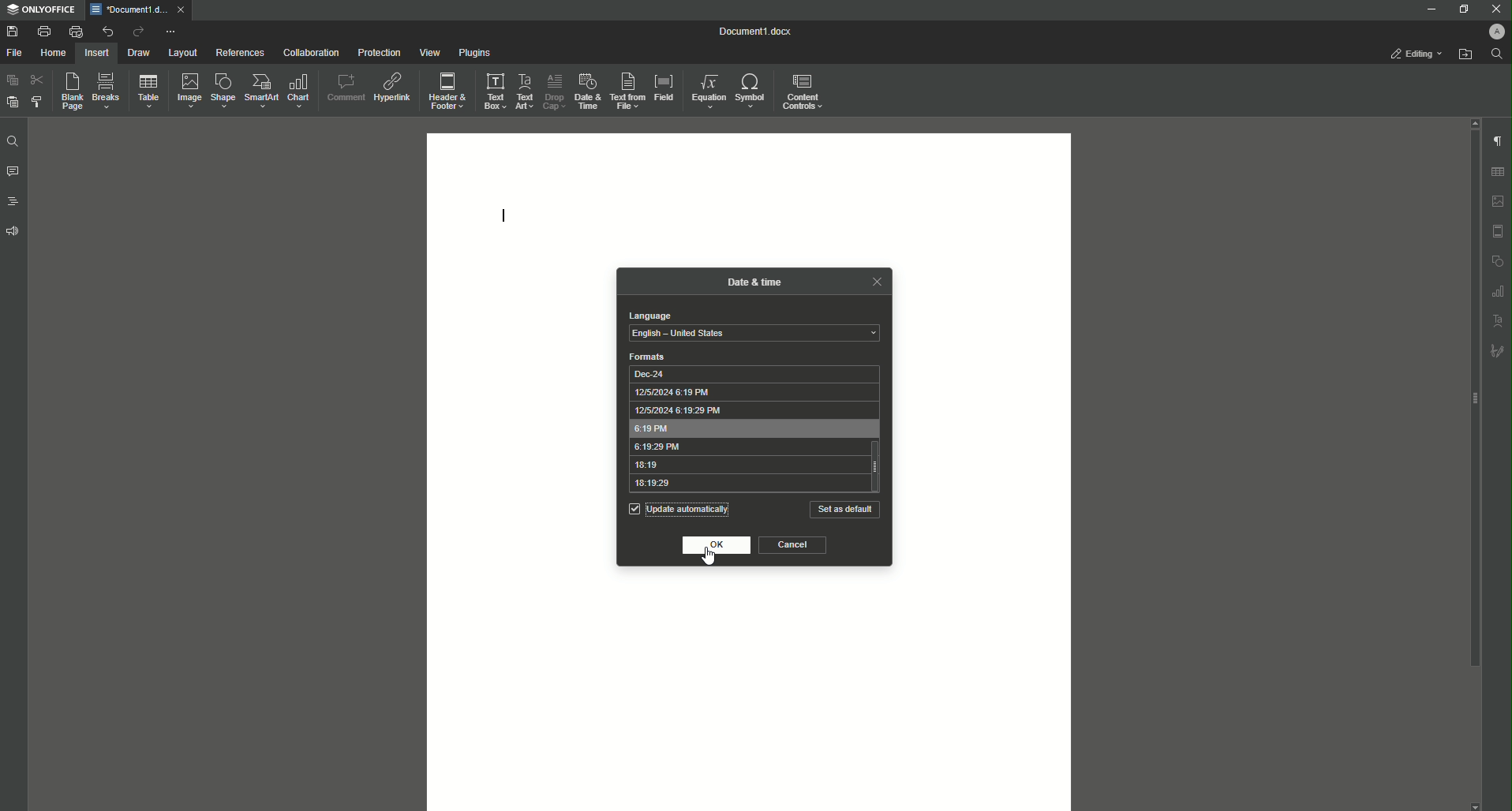  Describe the element at coordinates (40, 10) in the screenshot. I see `ONLYOFFICE` at that location.